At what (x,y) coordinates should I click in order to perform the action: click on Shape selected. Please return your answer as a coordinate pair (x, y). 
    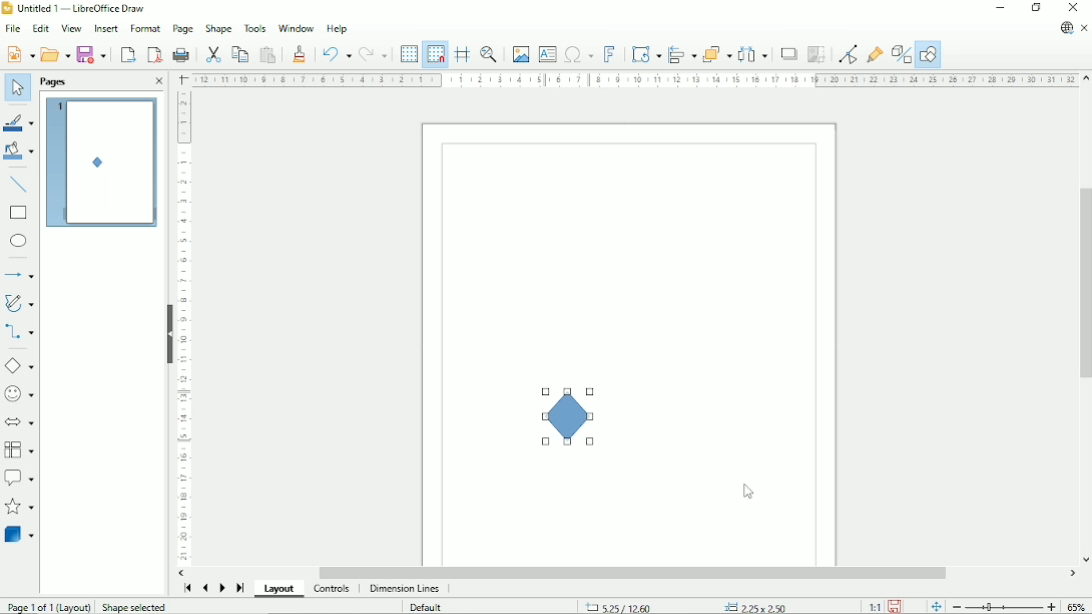
    Looking at the image, I should click on (136, 607).